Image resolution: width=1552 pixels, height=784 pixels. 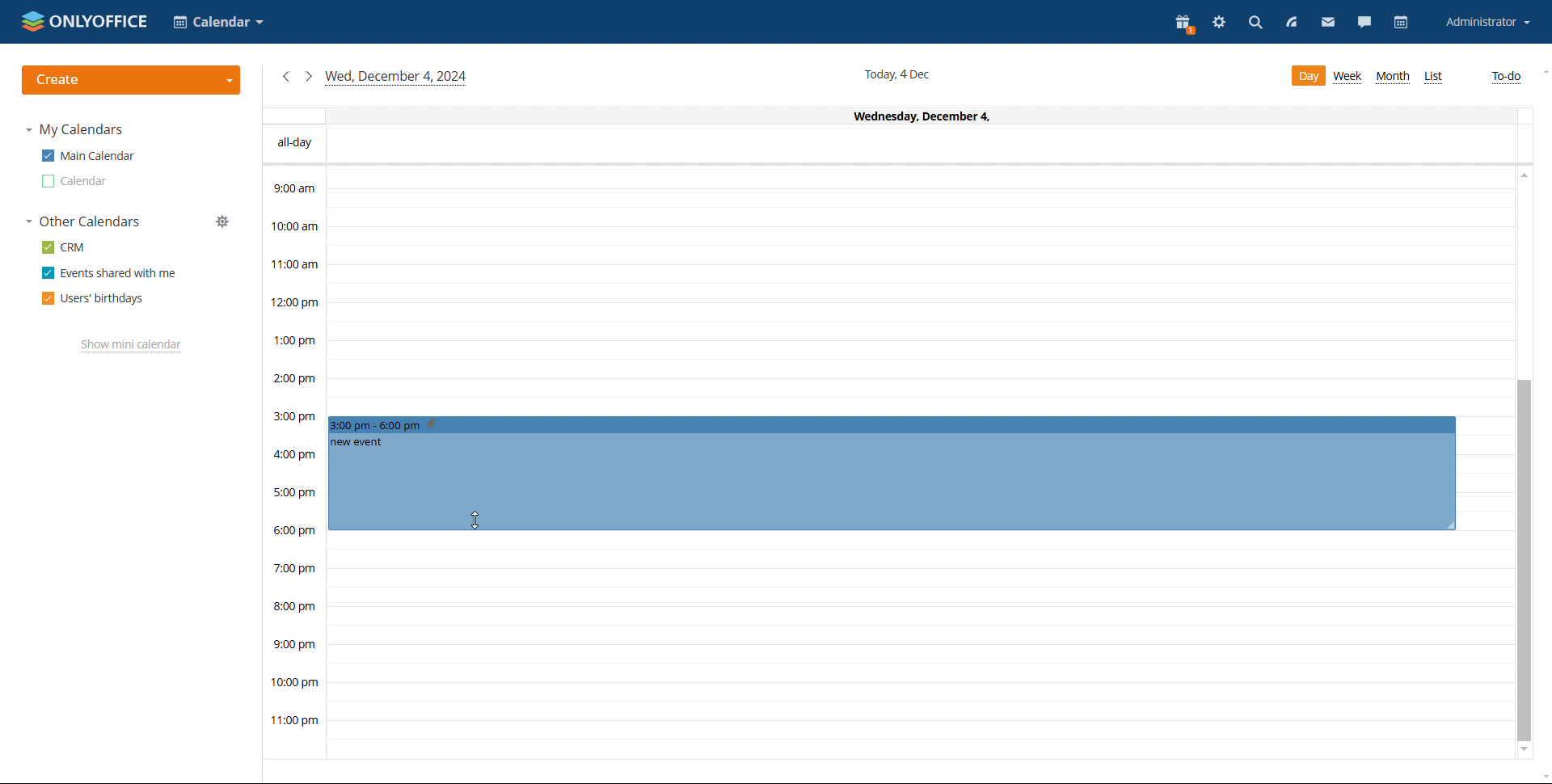 I want to click on show mini calendar, so click(x=131, y=346).